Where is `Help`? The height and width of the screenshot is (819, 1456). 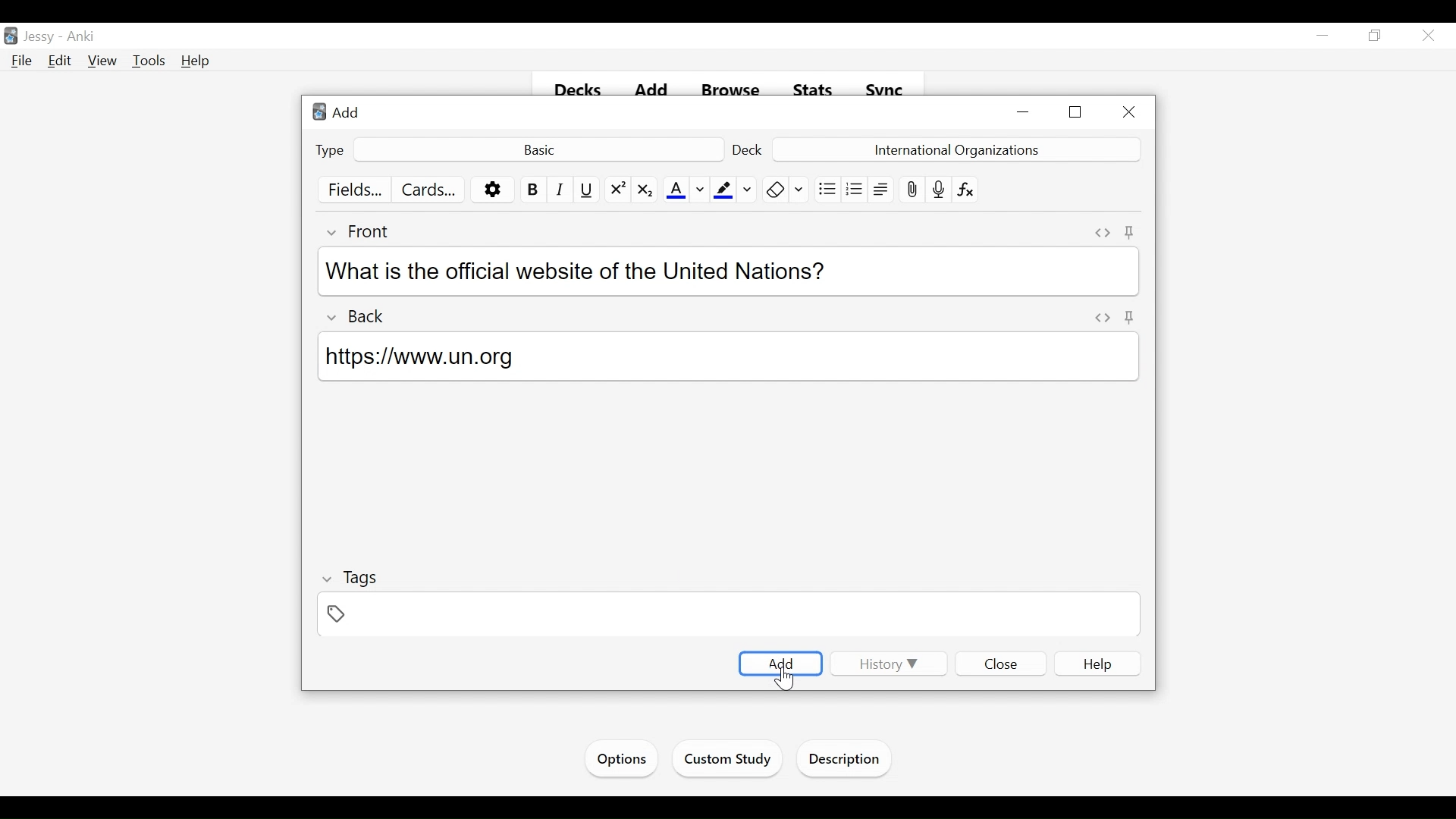 Help is located at coordinates (197, 62).